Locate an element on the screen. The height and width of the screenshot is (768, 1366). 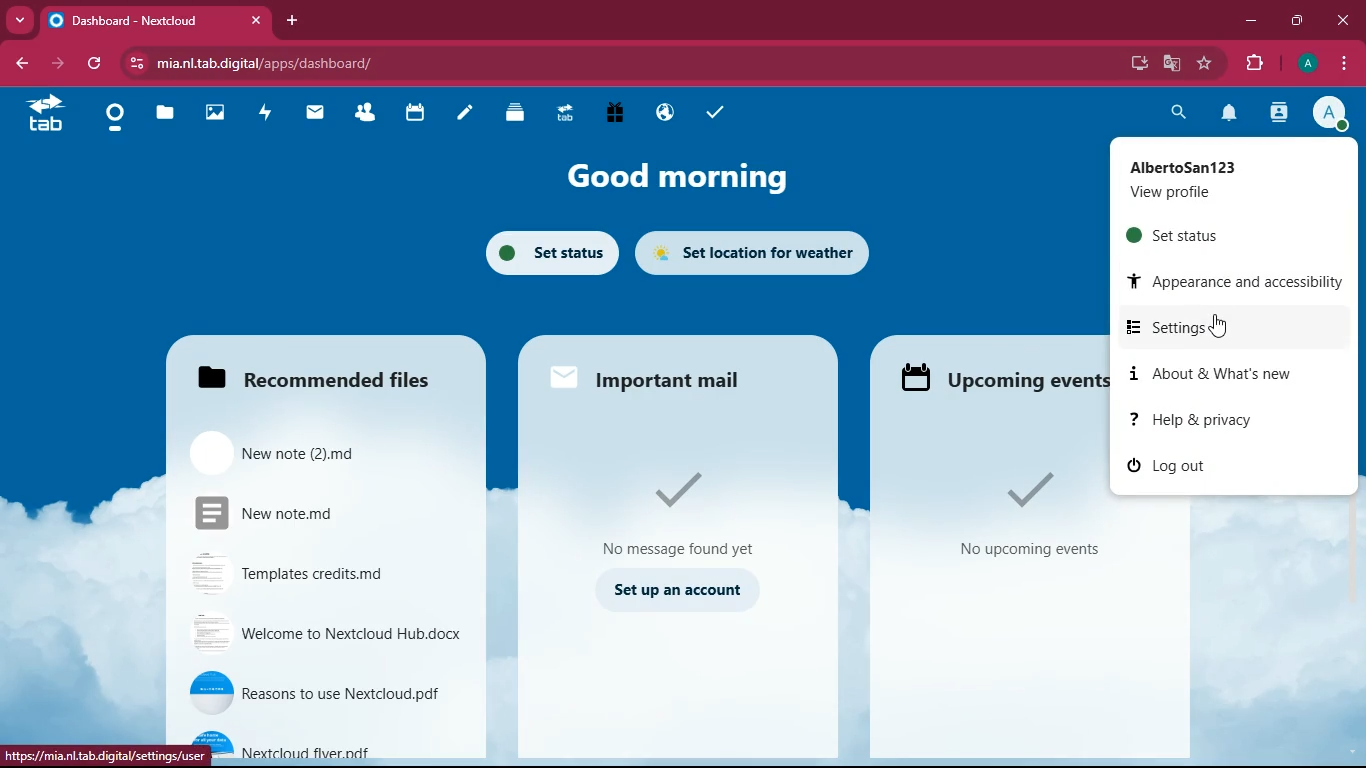
home is located at coordinates (114, 122).